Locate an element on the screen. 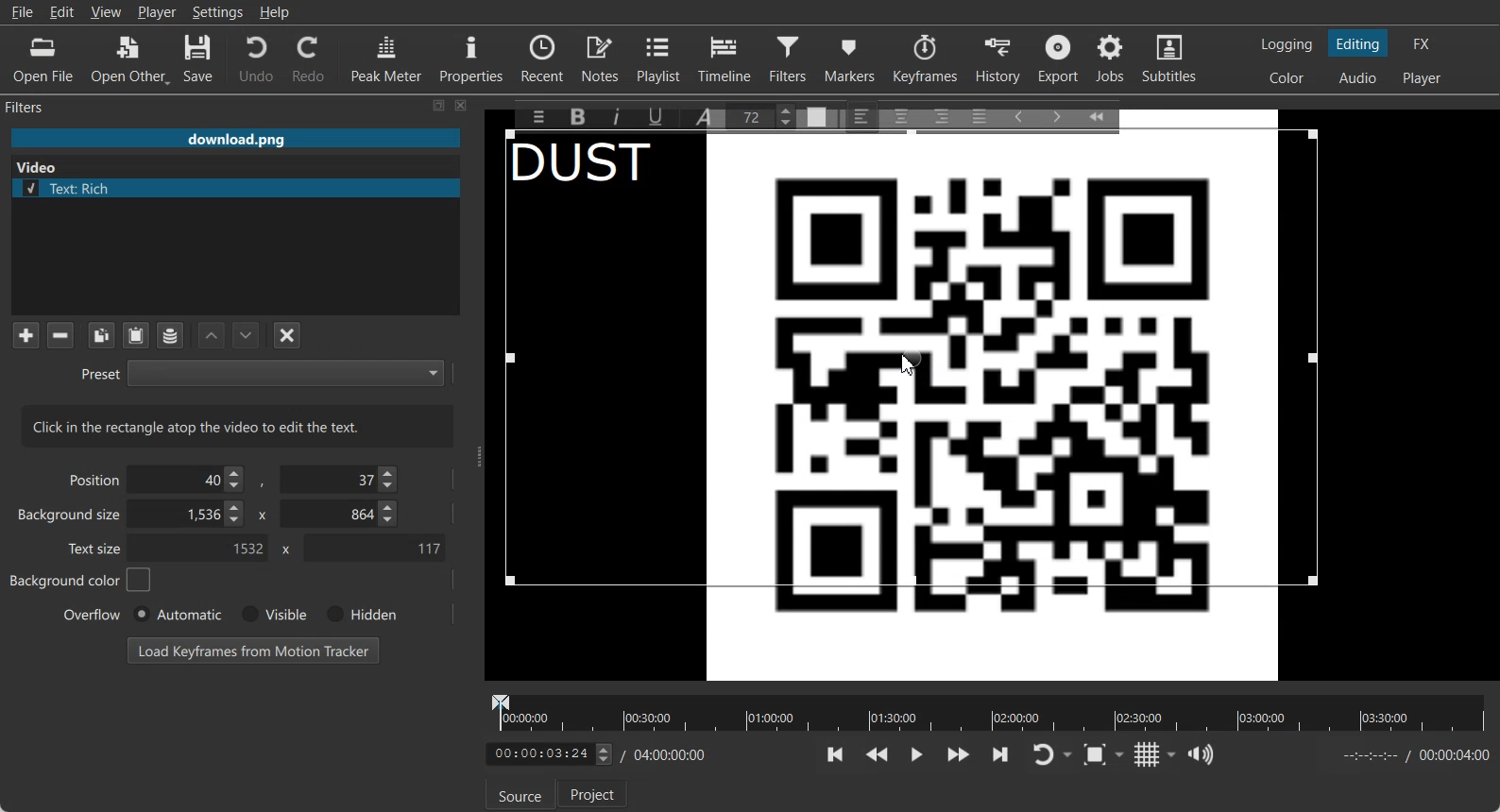 The width and height of the screenshot is (1500, 812). History is located at coordinates (1000, 59).